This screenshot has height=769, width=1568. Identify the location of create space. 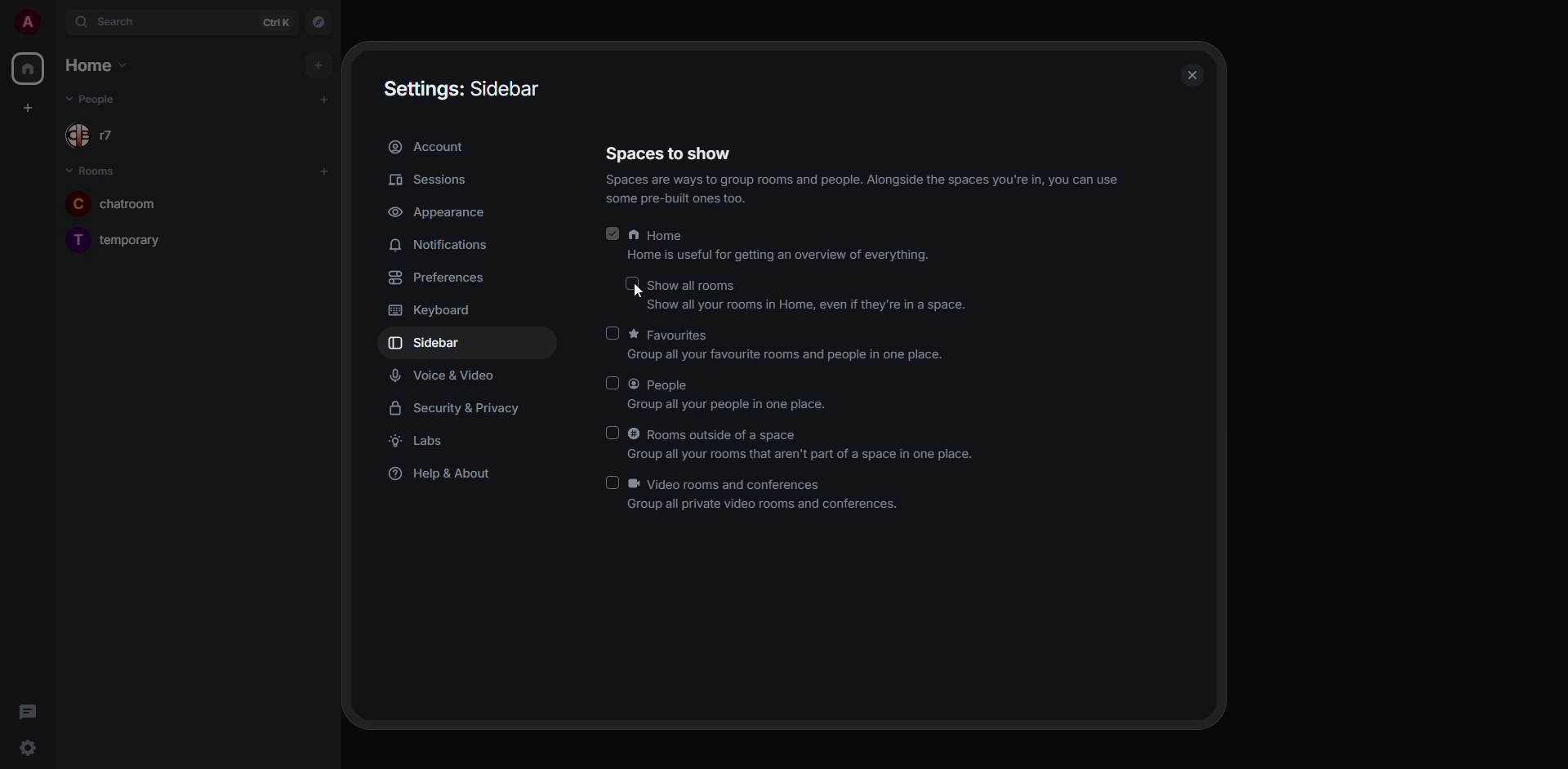
(26, 105).